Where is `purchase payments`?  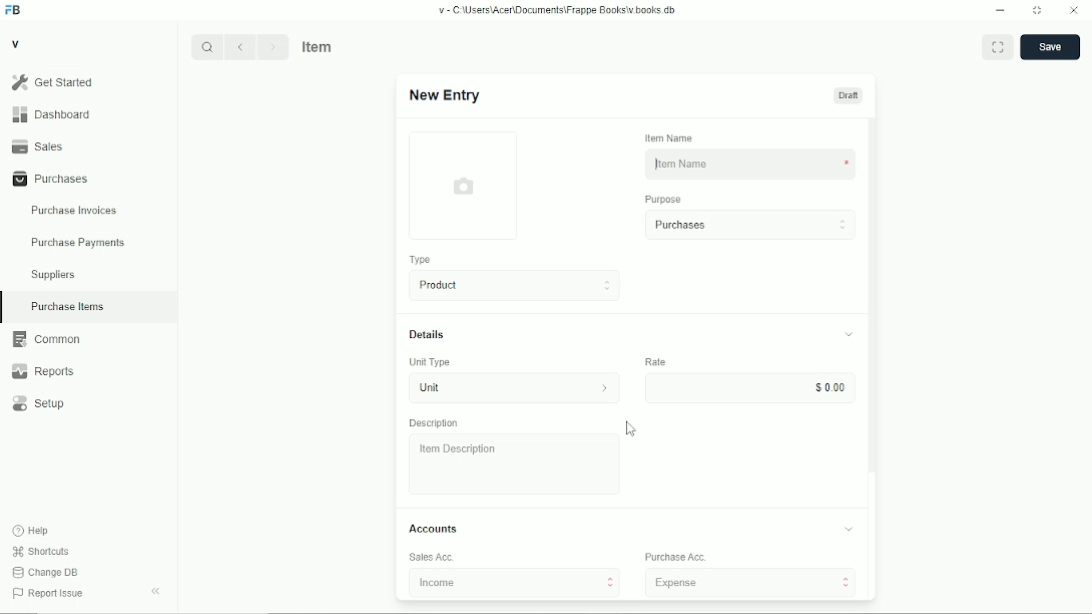
purchase payments is located at coordinates (77, 243).